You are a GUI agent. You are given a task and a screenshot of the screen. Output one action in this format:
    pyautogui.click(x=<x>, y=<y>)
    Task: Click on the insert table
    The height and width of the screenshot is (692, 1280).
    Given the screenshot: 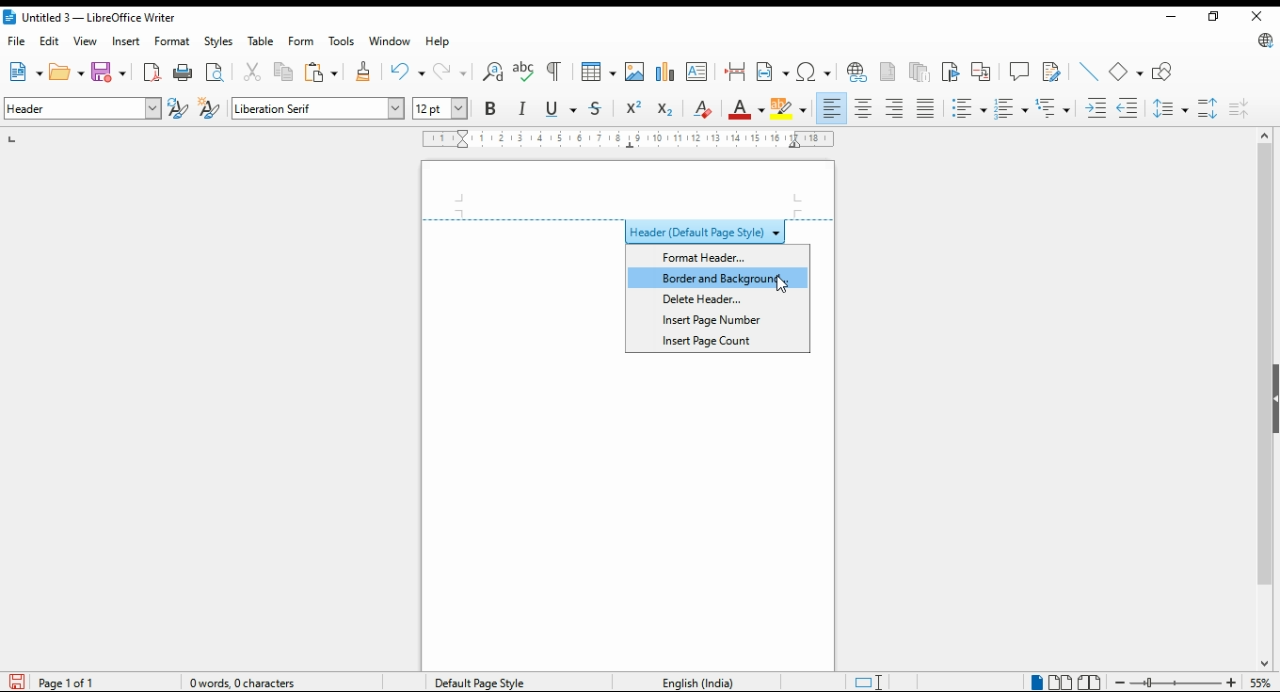 What is the action you would take?
    pyautogui.click(x=599, y=71)
    